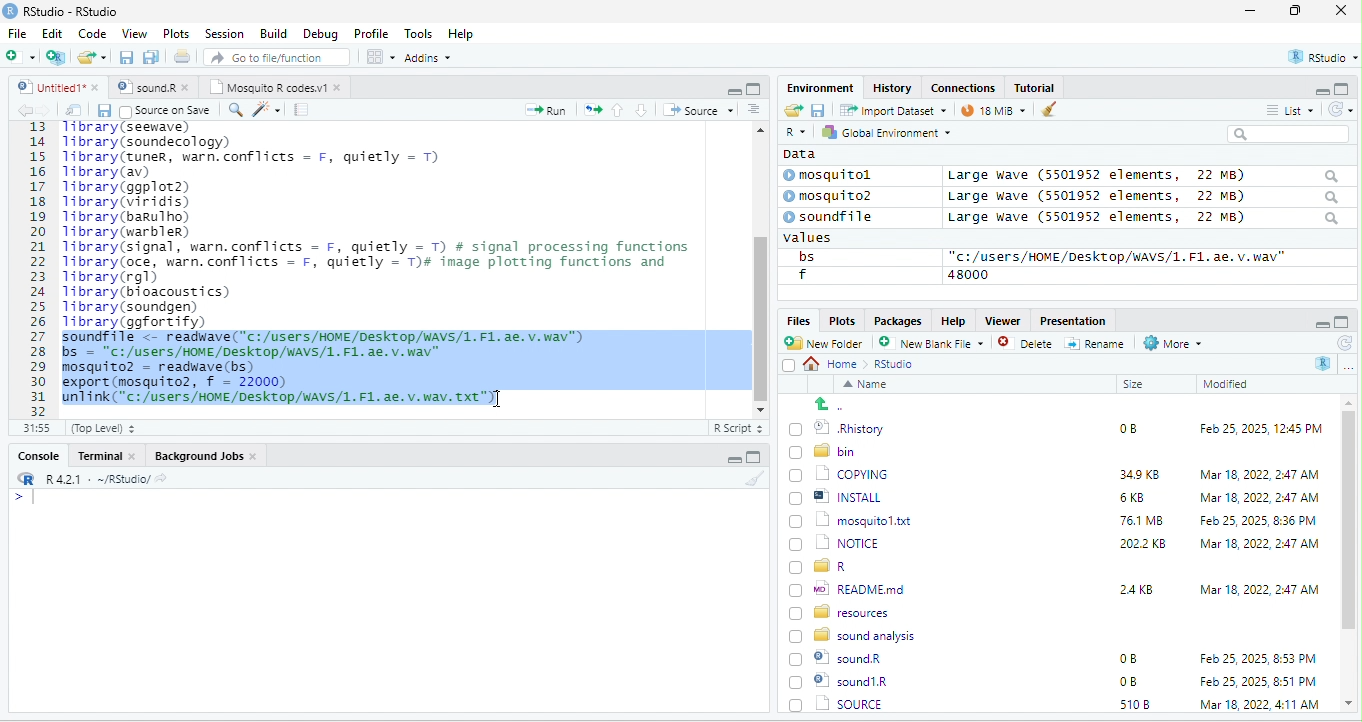 This screenshot has width=1362, height=722. Describe the element at coordinates (842, 660) in the screenshot. I see `© sound1R` at that location.